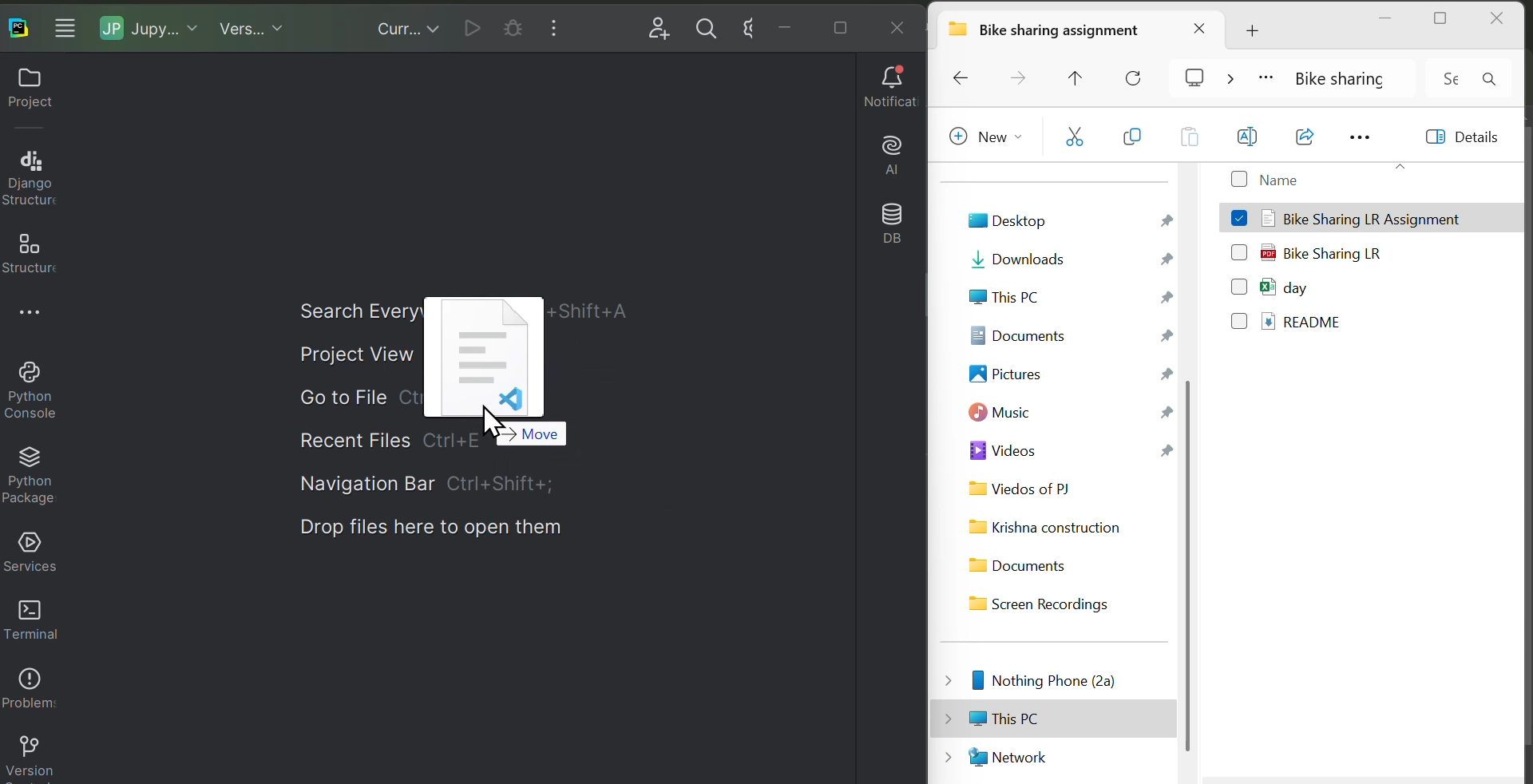 The image size is (1533, 784). I want to click on Services, so click(33, 550).